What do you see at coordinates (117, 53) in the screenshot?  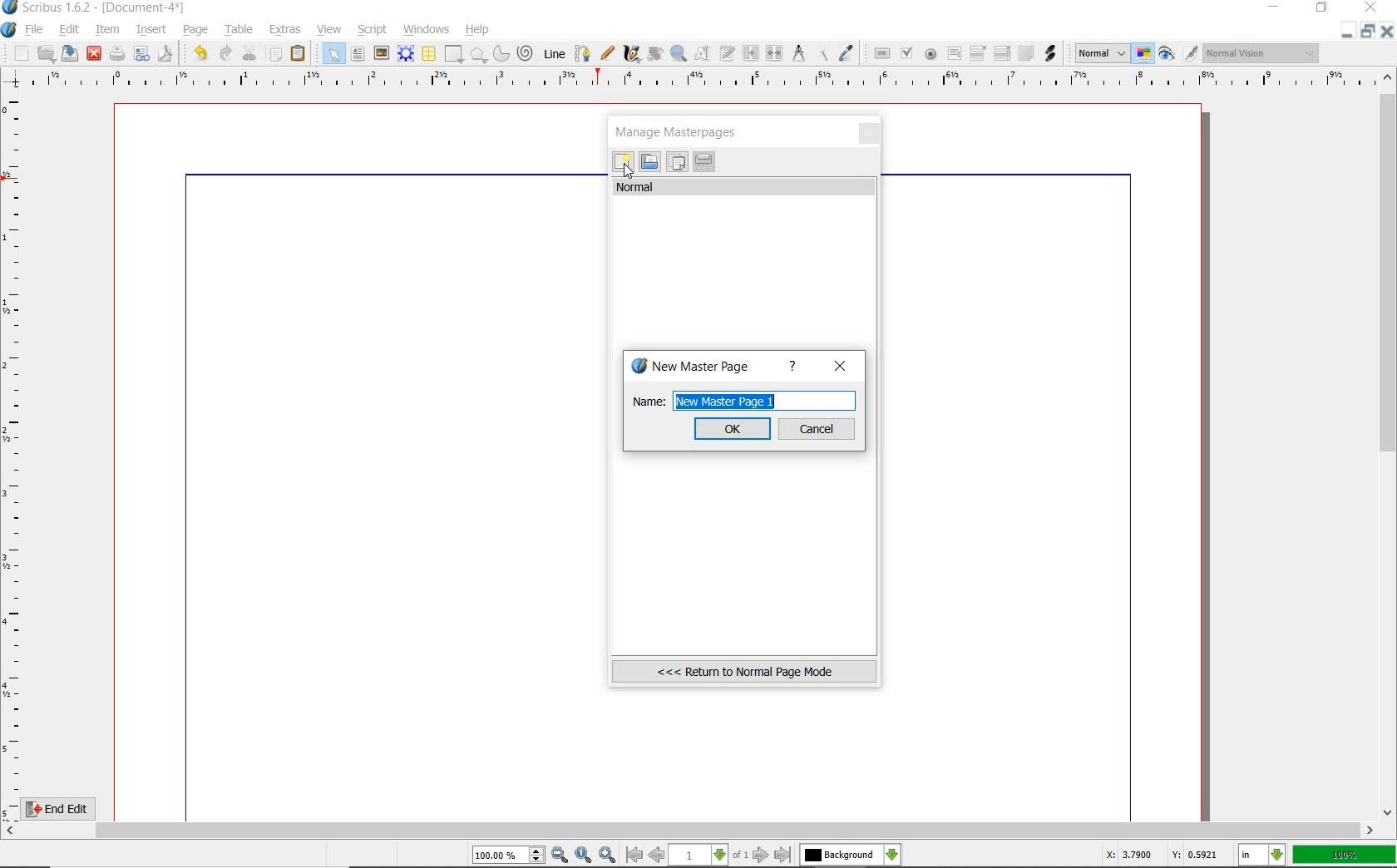 I see `print` at bounding box center [117, 53].